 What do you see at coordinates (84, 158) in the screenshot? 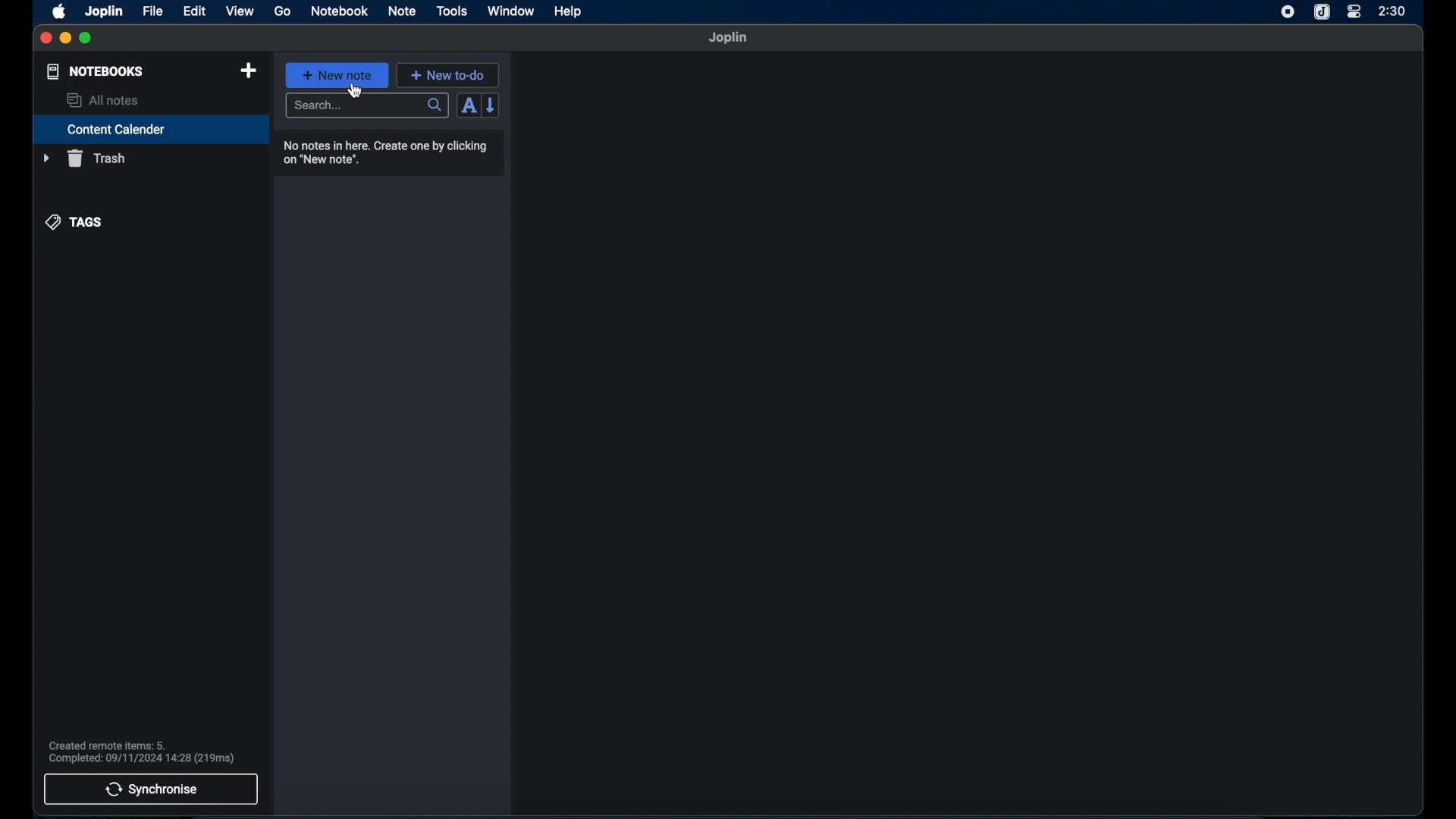
I see `trash` at bounding box center [84, 158].